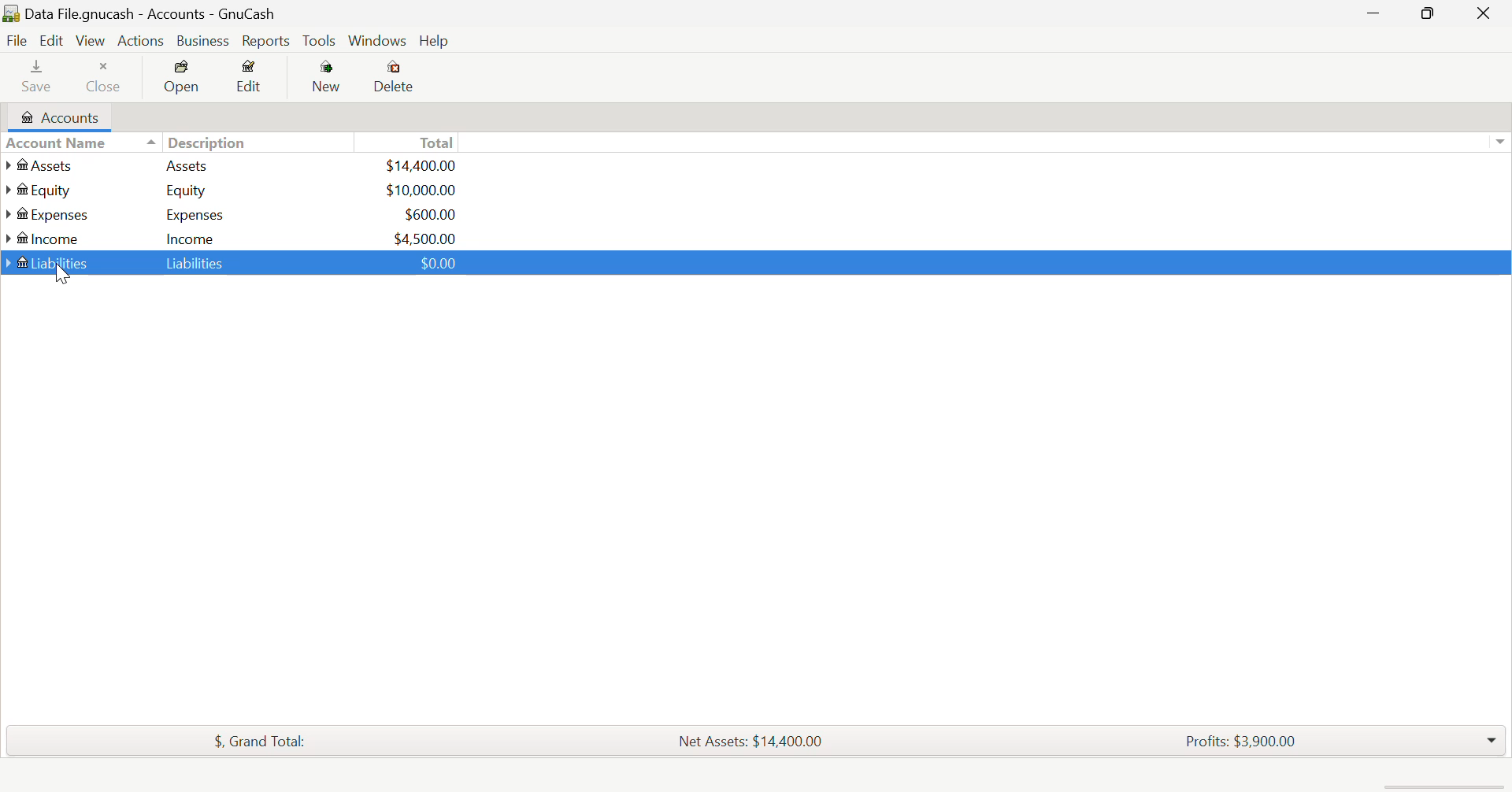 This screenshot has width=1512, height=792. What do you see at coordinates (62, 276) in the screenshot?
I see `Cursor Position` at bounding box center [62, 276].